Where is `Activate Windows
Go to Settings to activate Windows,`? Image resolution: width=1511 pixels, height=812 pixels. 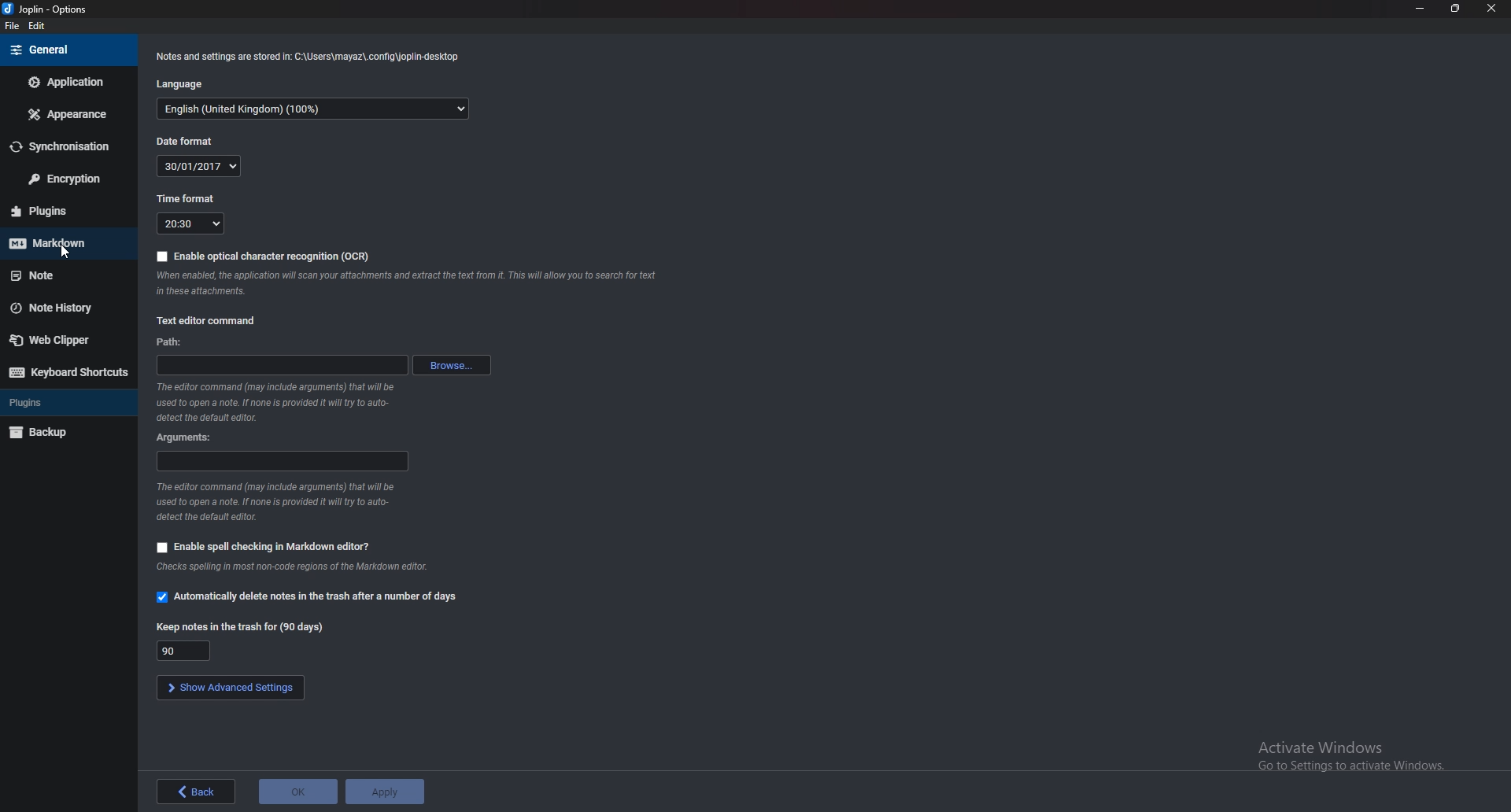 Activate Windows
Go to Settings to activate Windows, is located at coordinates (1349, 753).